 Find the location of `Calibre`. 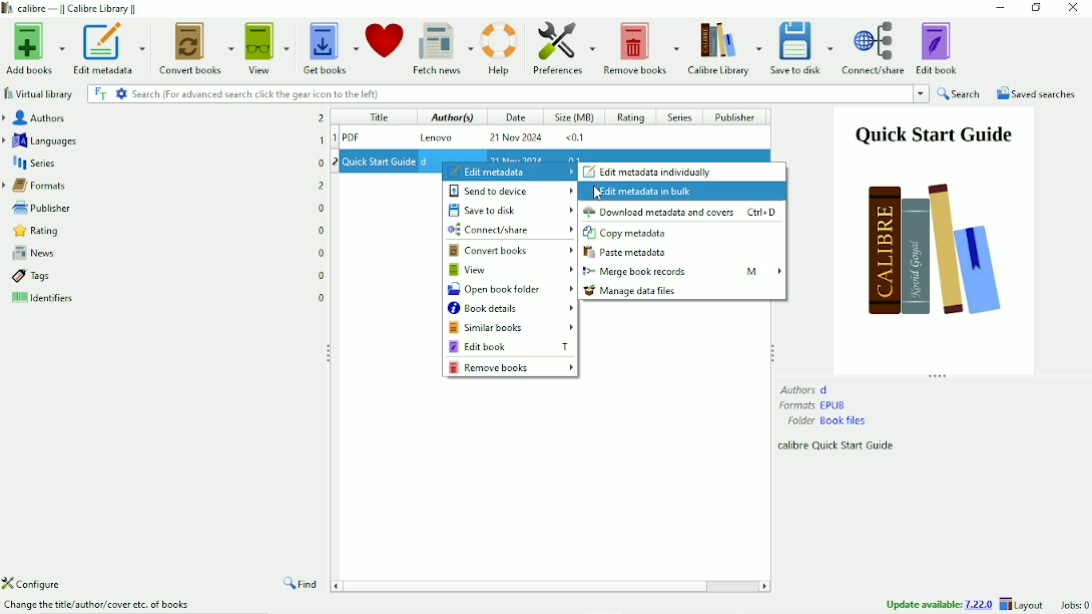

Calibre is located at coordinates (76, 8).